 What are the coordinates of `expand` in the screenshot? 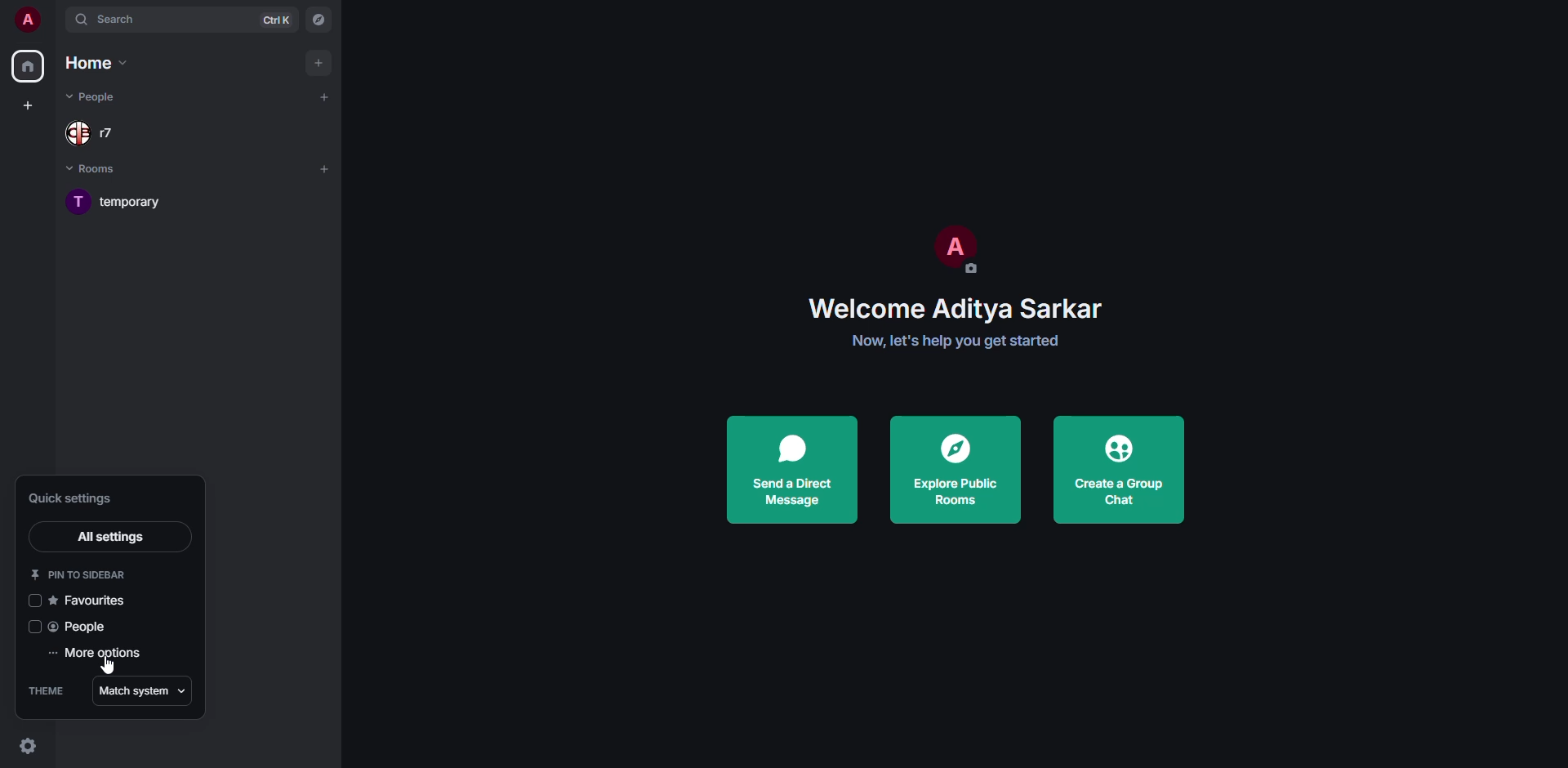 It's located at (54, 20).